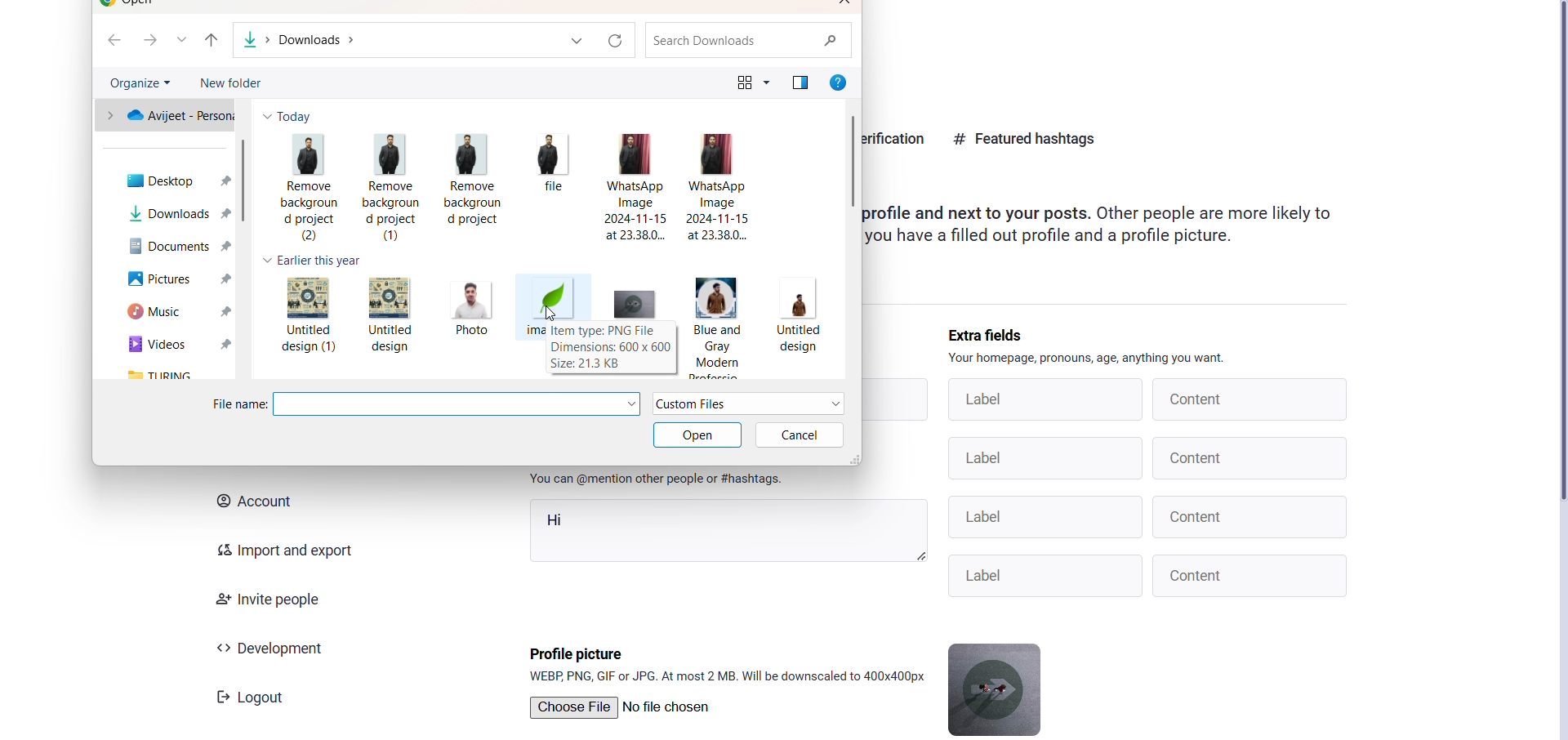 The width and height of the screenshot is (1568, 740). Describe the element at coordinates (141, 82) in the screenshot. I see `organize` at that location.